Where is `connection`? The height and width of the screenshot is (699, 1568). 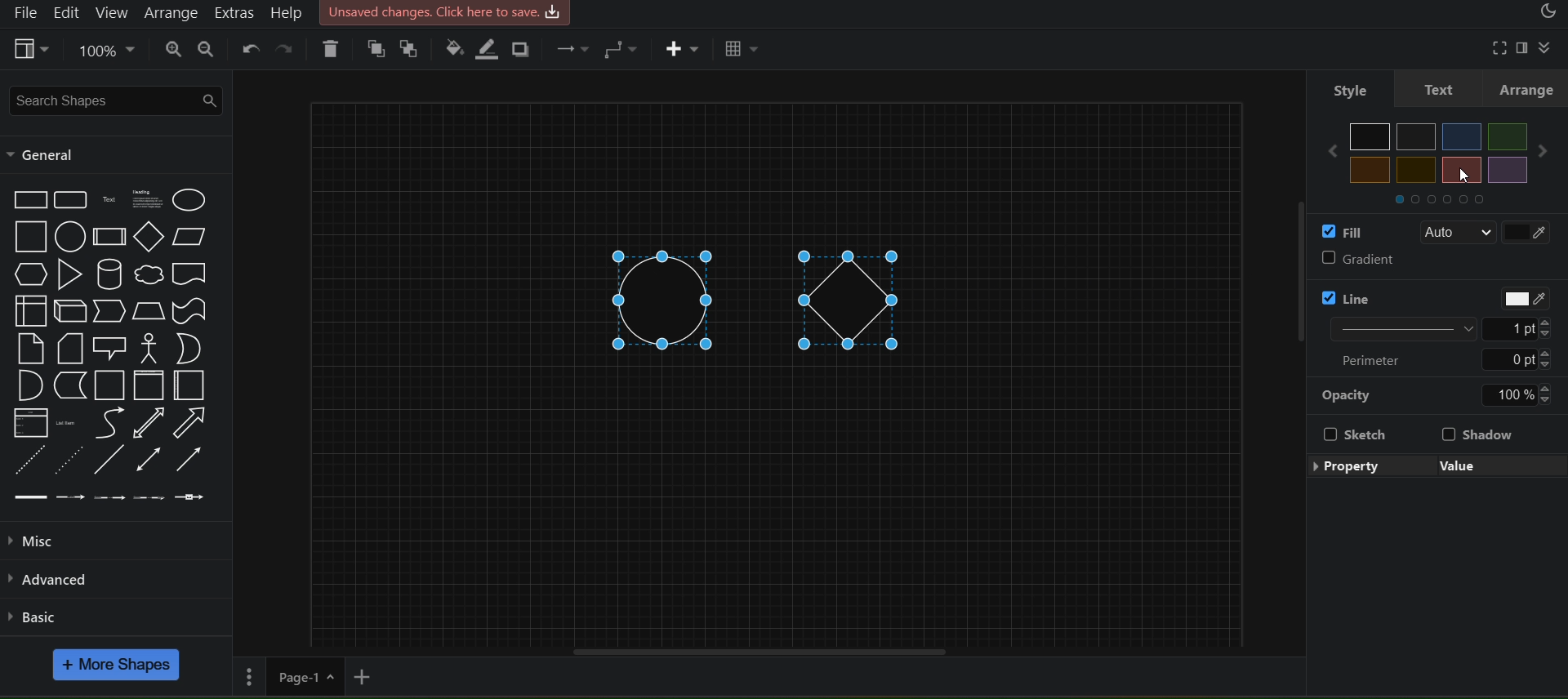
connection is located at coordinates (623, 50).